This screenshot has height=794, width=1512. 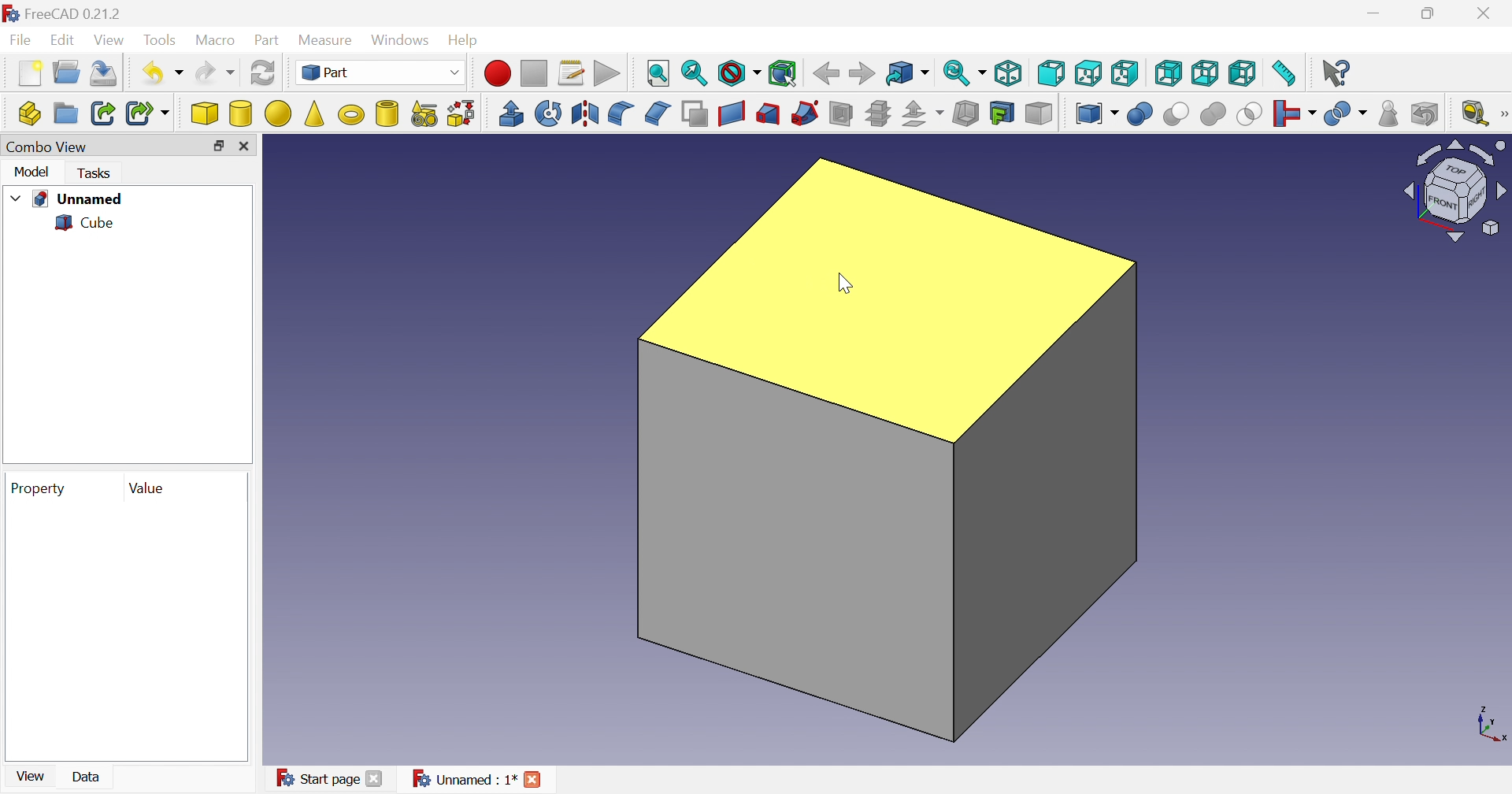 What do you see at coordinates (81, 199) in the screenshot?
I see `Unnamed` at bounding box center [81, 199].